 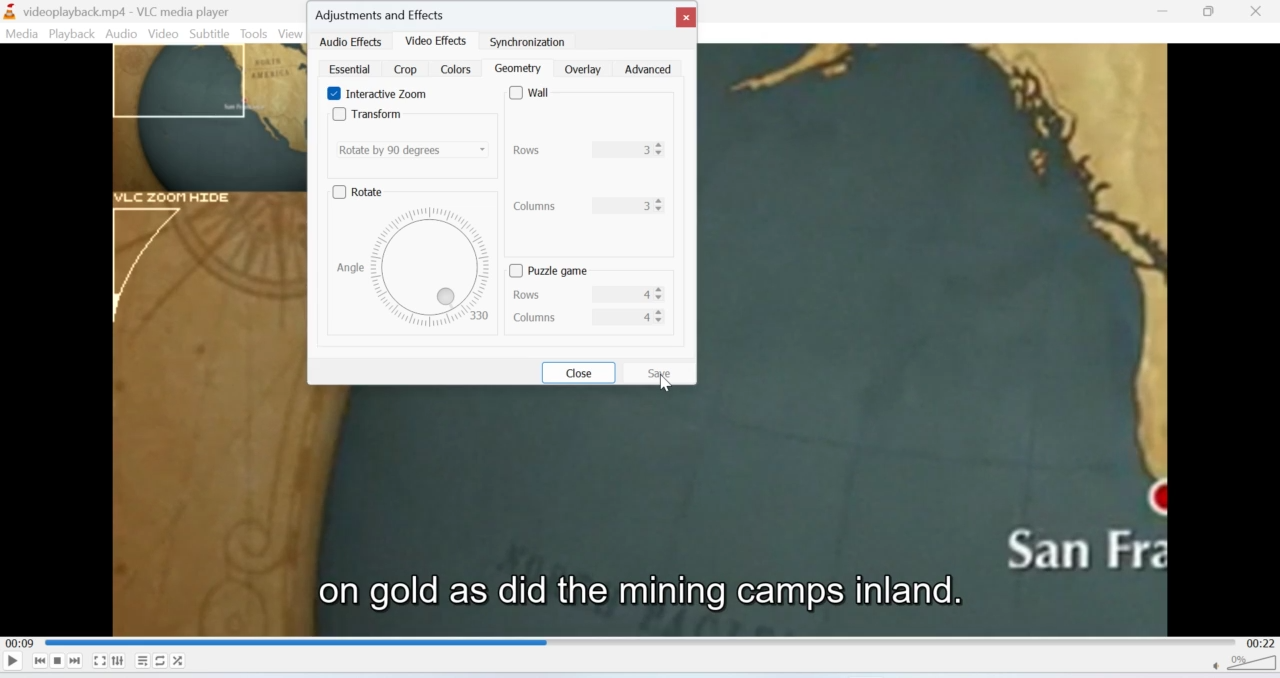 What do you see at coordinates (346, 70) in the screenshot?
I see `essential` at bounding box center [346, 70].